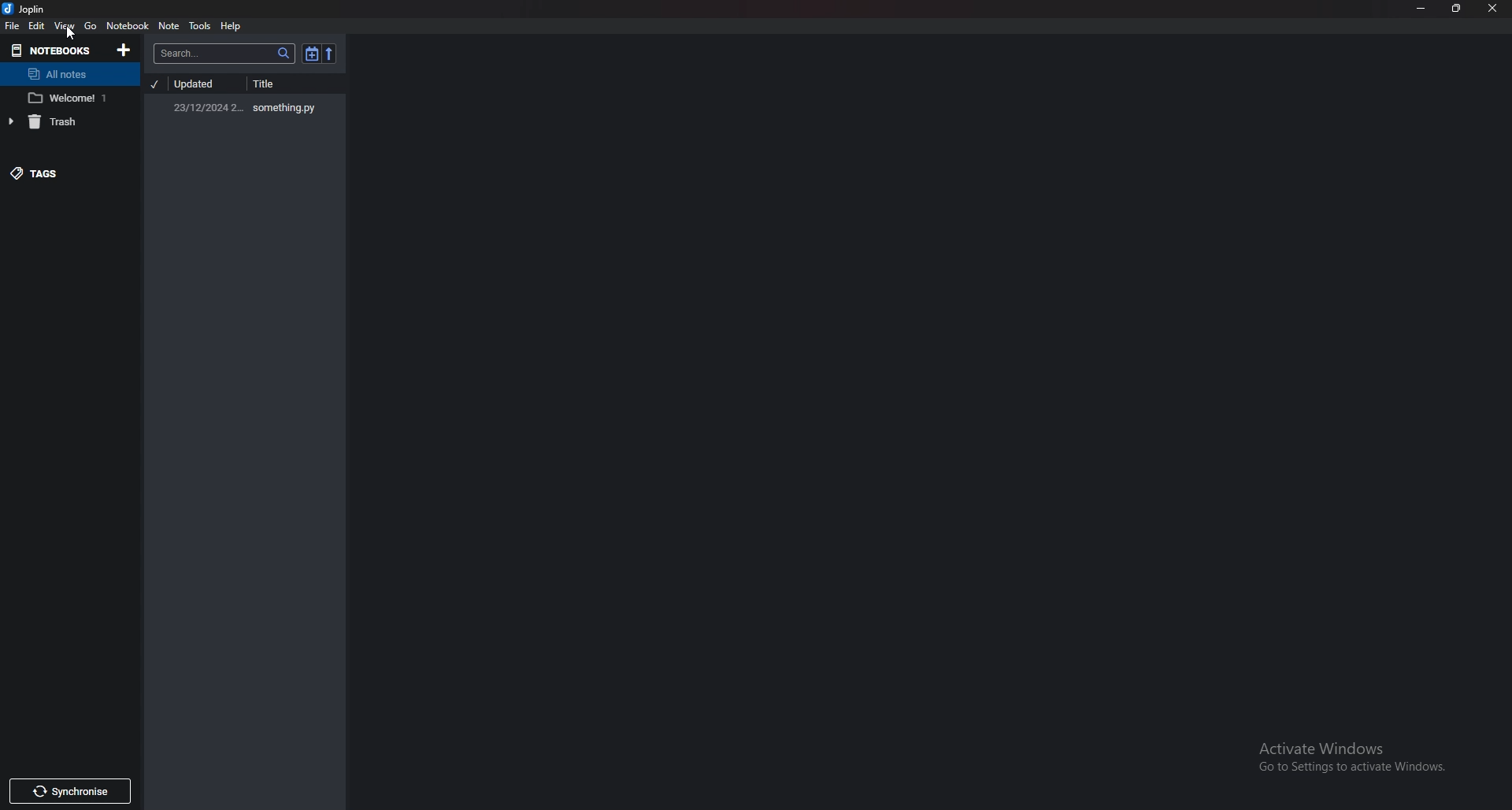 The height and width of the screenshot is (810, 1512). What do you see at coordinates (1421, 9) in the screenshot?
I see `Minimize` at bounding box center [1421, 9].